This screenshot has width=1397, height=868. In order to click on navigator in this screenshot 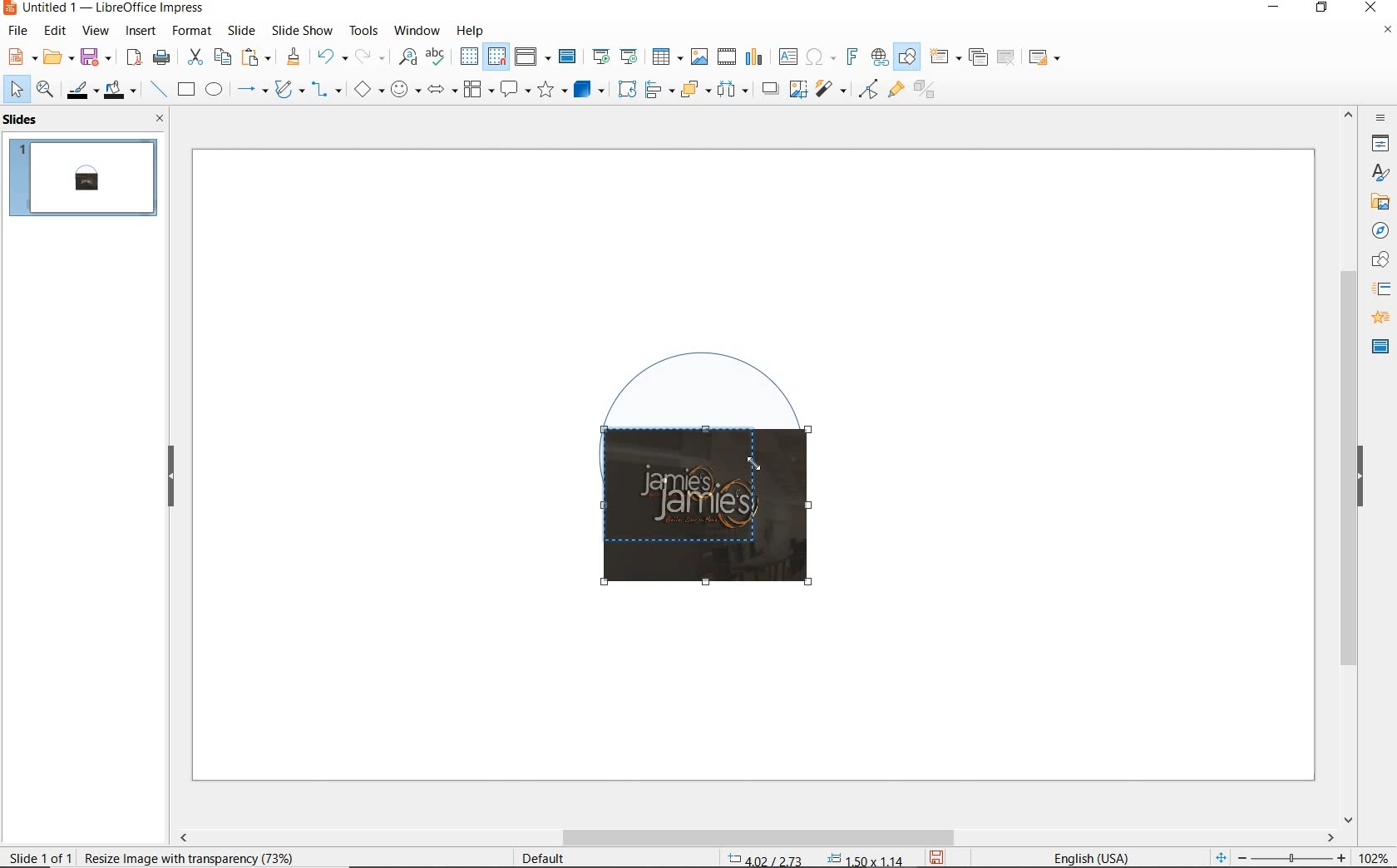, I will do `click(1379, 229)`.